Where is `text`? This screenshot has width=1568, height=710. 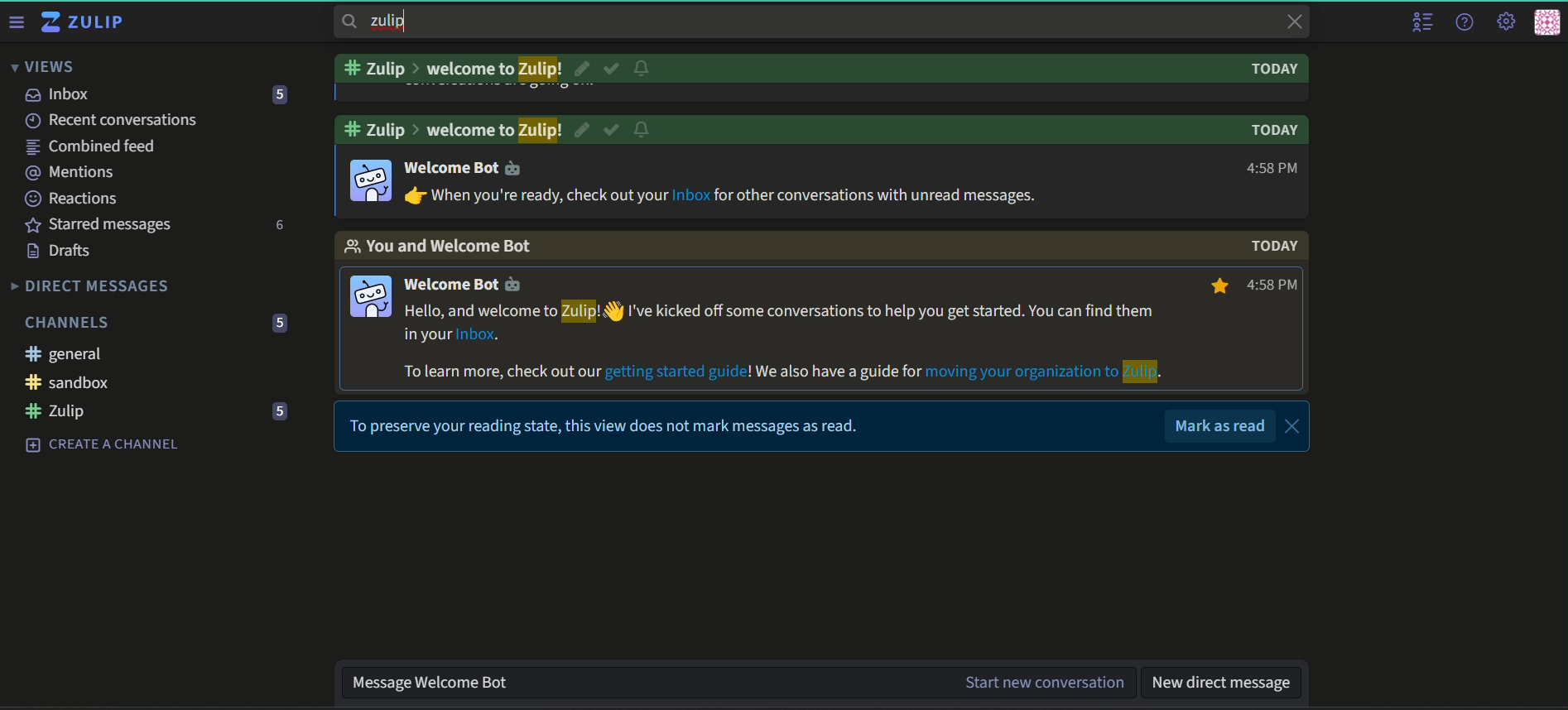 text is located at coordinates (1220, 425).